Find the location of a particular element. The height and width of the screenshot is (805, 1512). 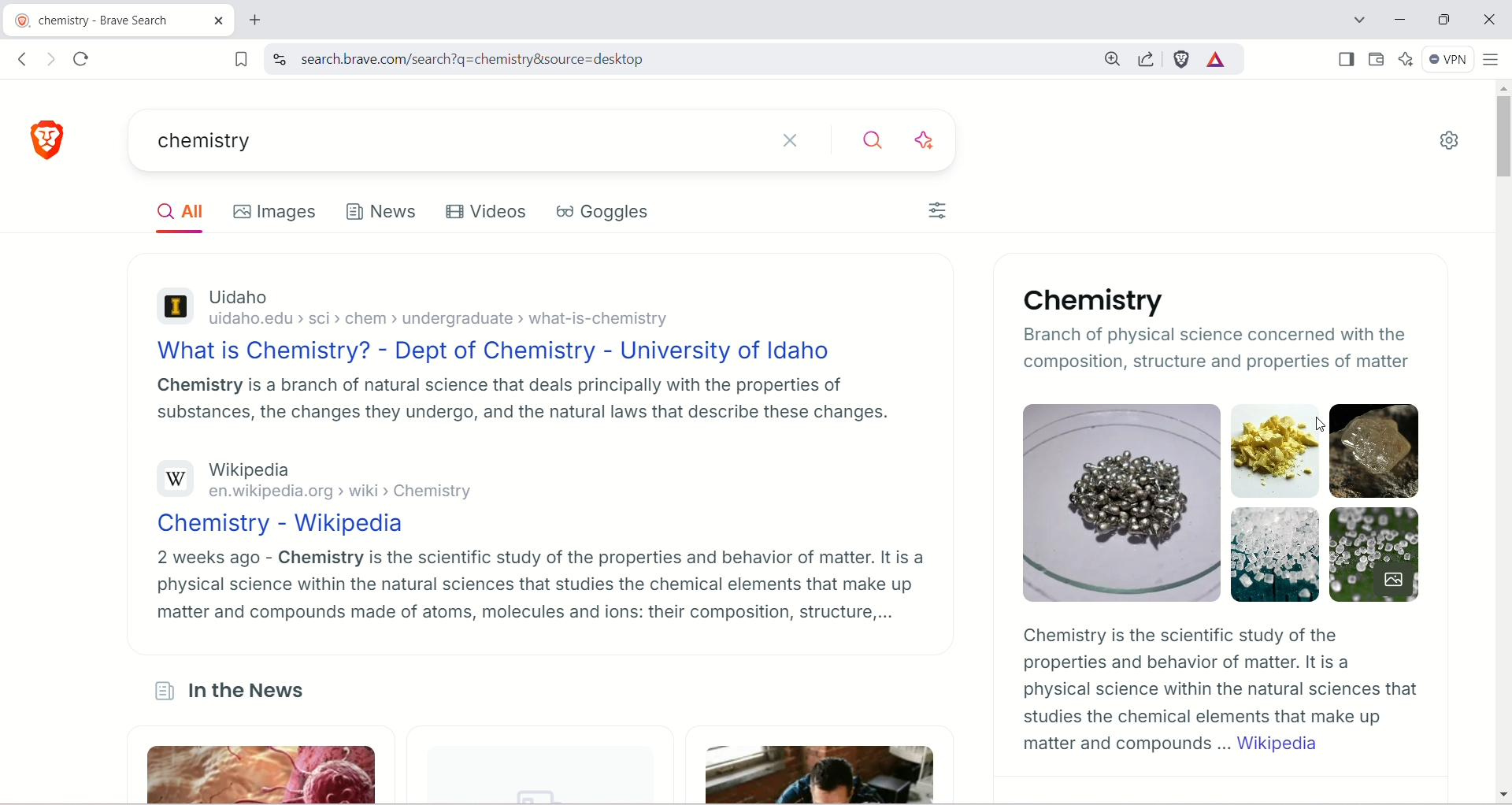

vertical scroll bar is located at coordinates (1503, 443).